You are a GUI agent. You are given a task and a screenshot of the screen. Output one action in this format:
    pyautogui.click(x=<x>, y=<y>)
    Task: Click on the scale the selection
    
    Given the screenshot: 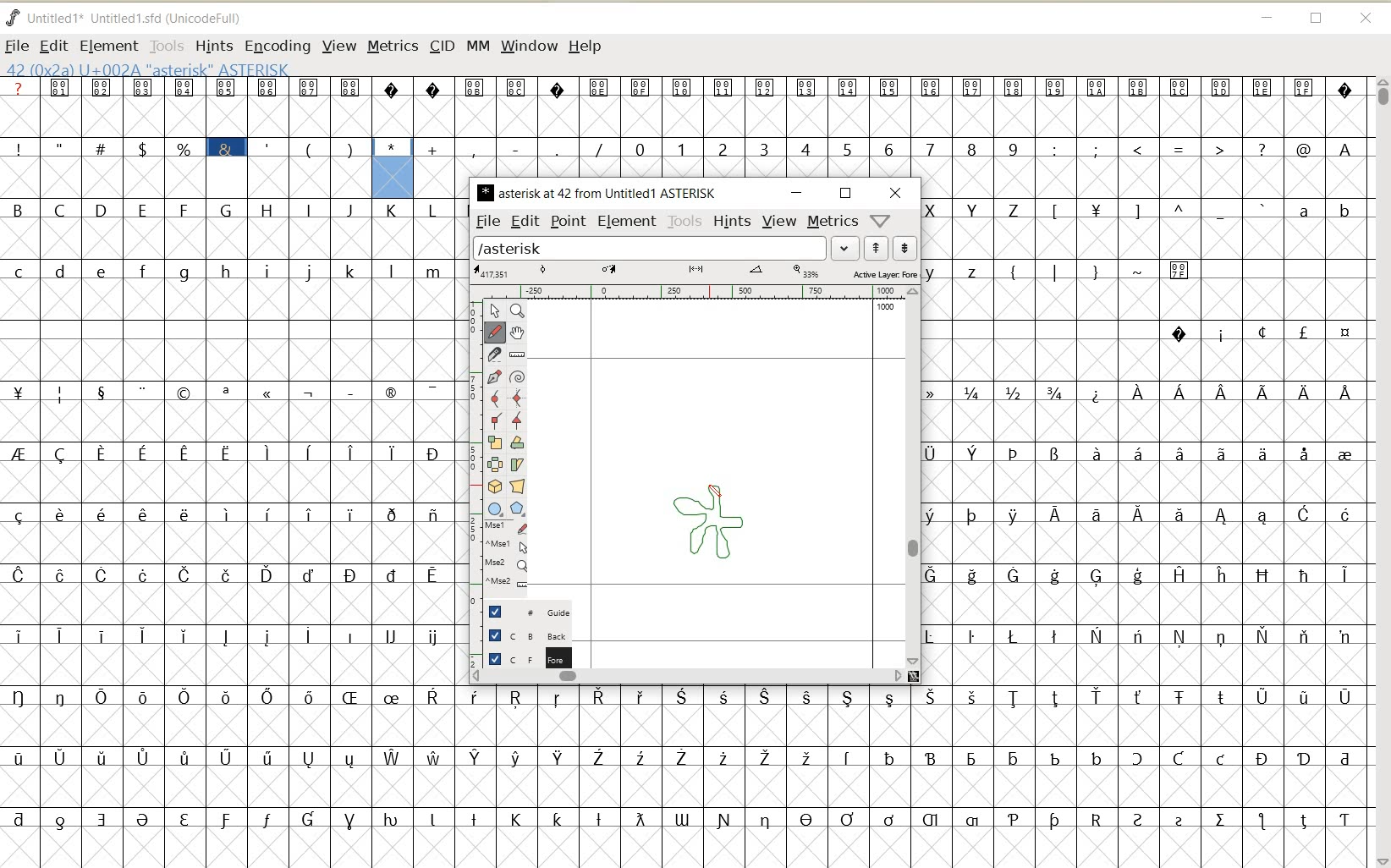 What is the action you would take?
    pyautogui.click(x=492, y=442)
    